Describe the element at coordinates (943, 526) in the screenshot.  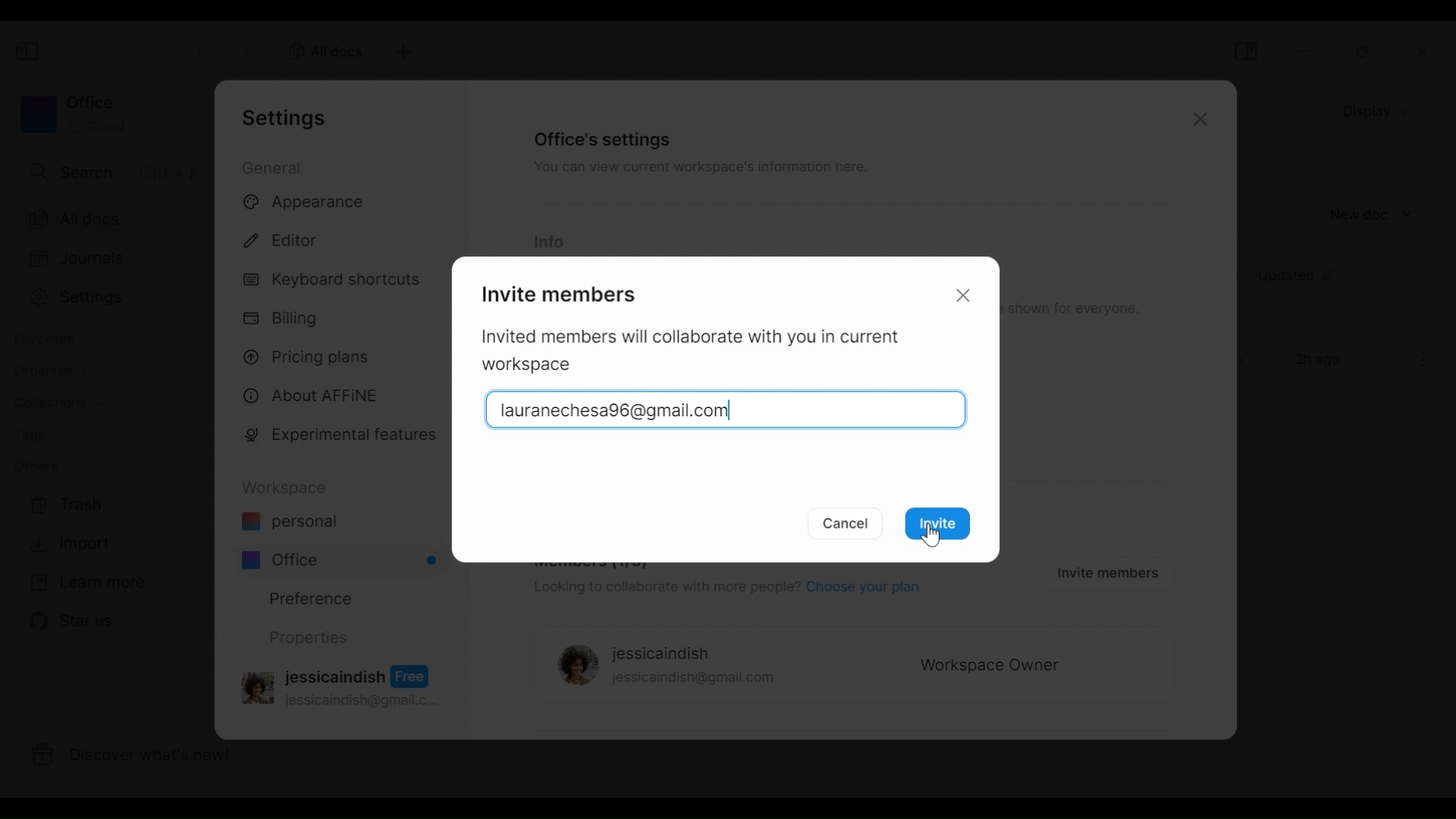
I see `invite` at that location.